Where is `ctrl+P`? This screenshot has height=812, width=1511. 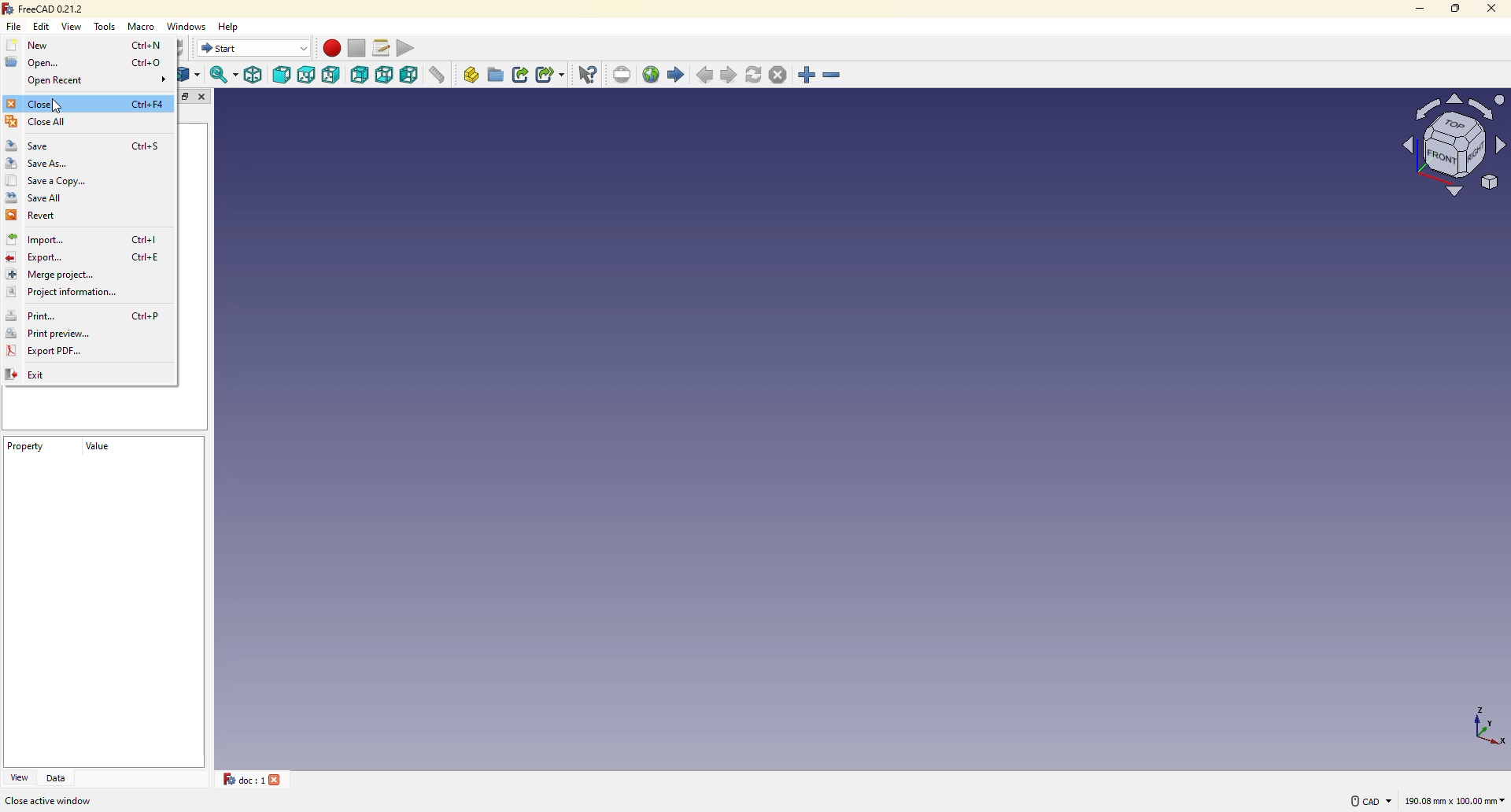
ctrl+P is located at coordinates (145, 315).